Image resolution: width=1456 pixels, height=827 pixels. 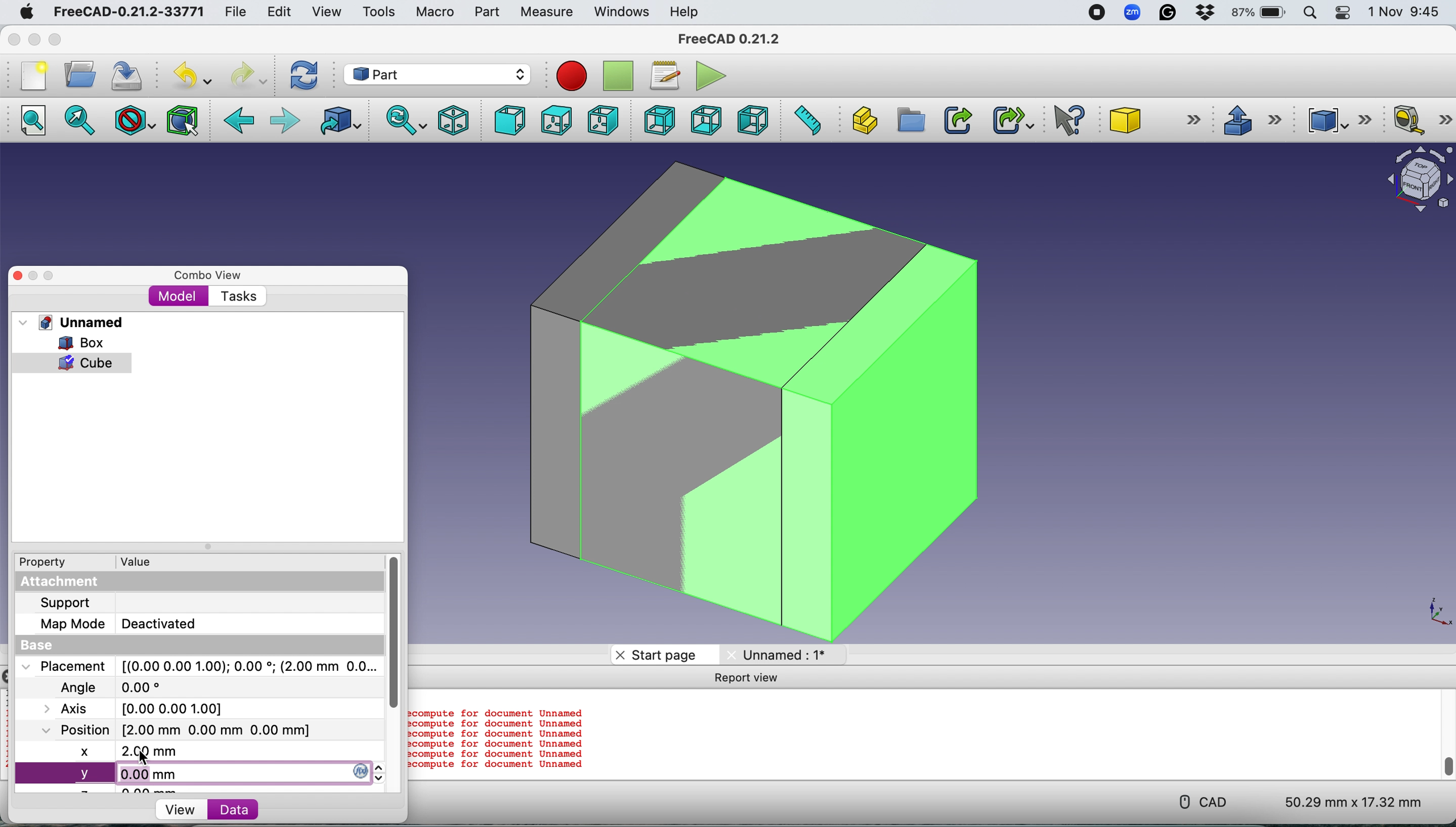 I want to click on minimise, so click(x=34, y=39).